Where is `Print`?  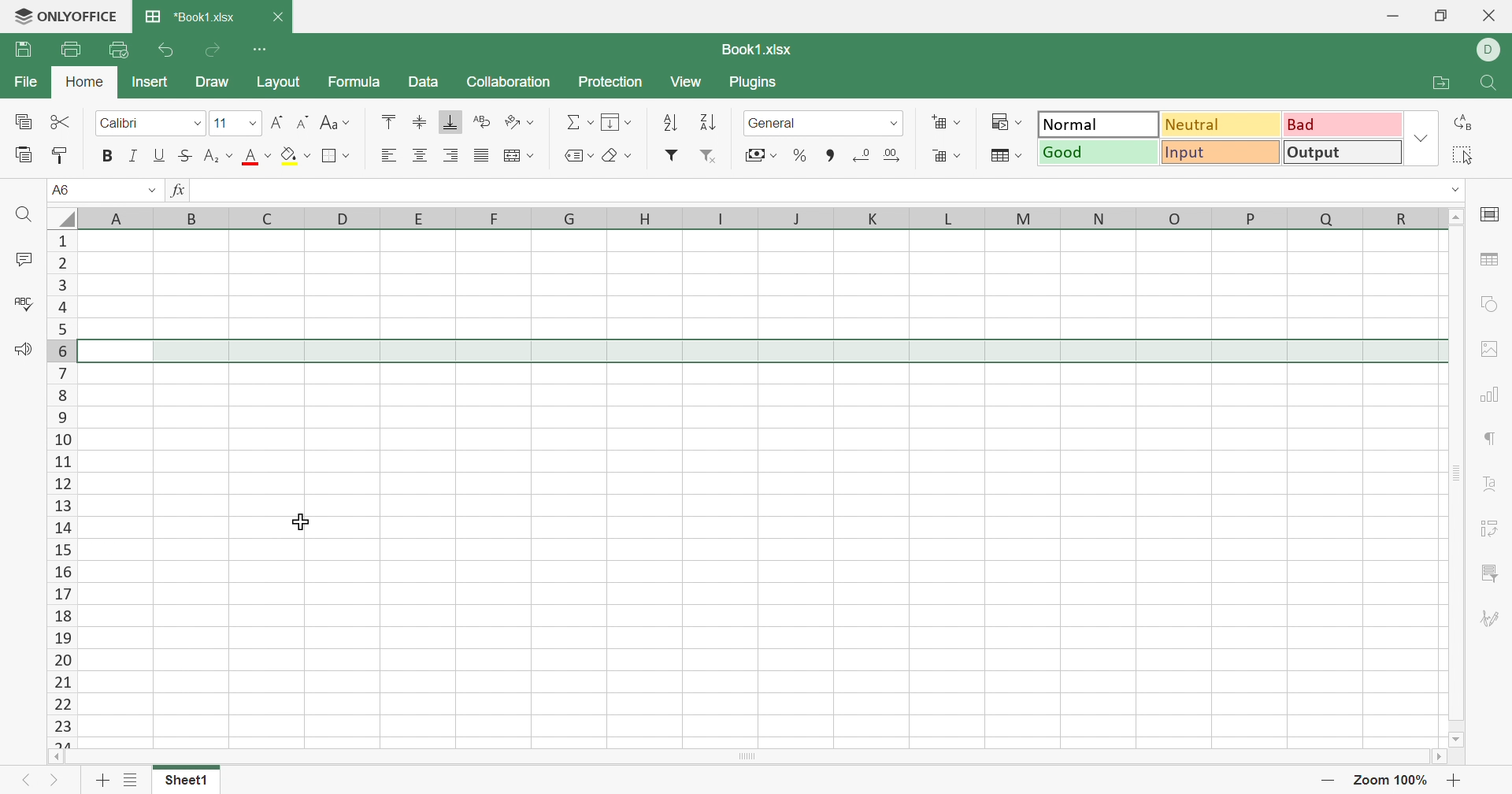
Print is located at coordinates (70, 50).